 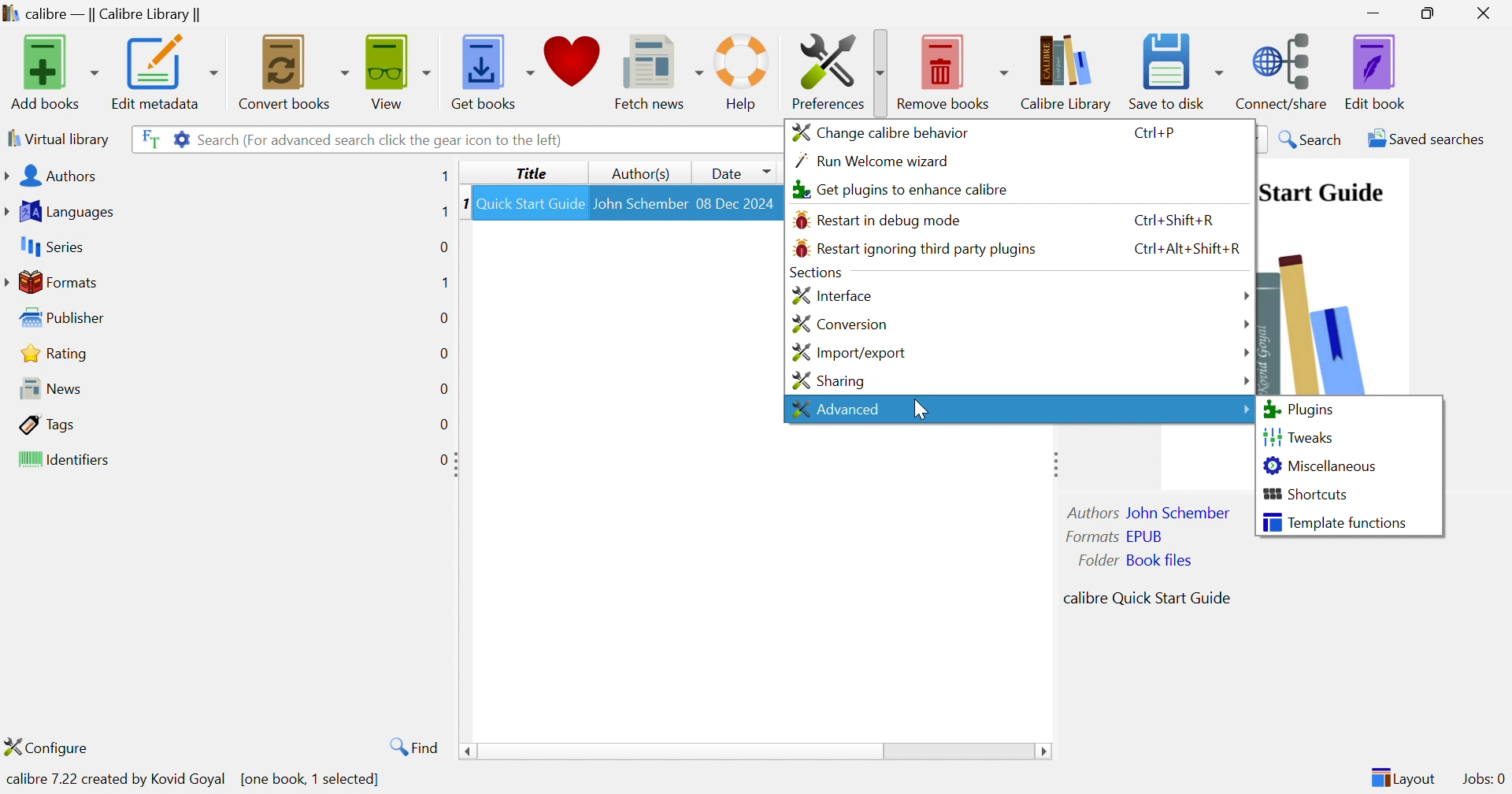 What do you see at coordinates (873, 161) in the screenshot?
I see `Run welcome wizard` at bounding box center [873, 161].